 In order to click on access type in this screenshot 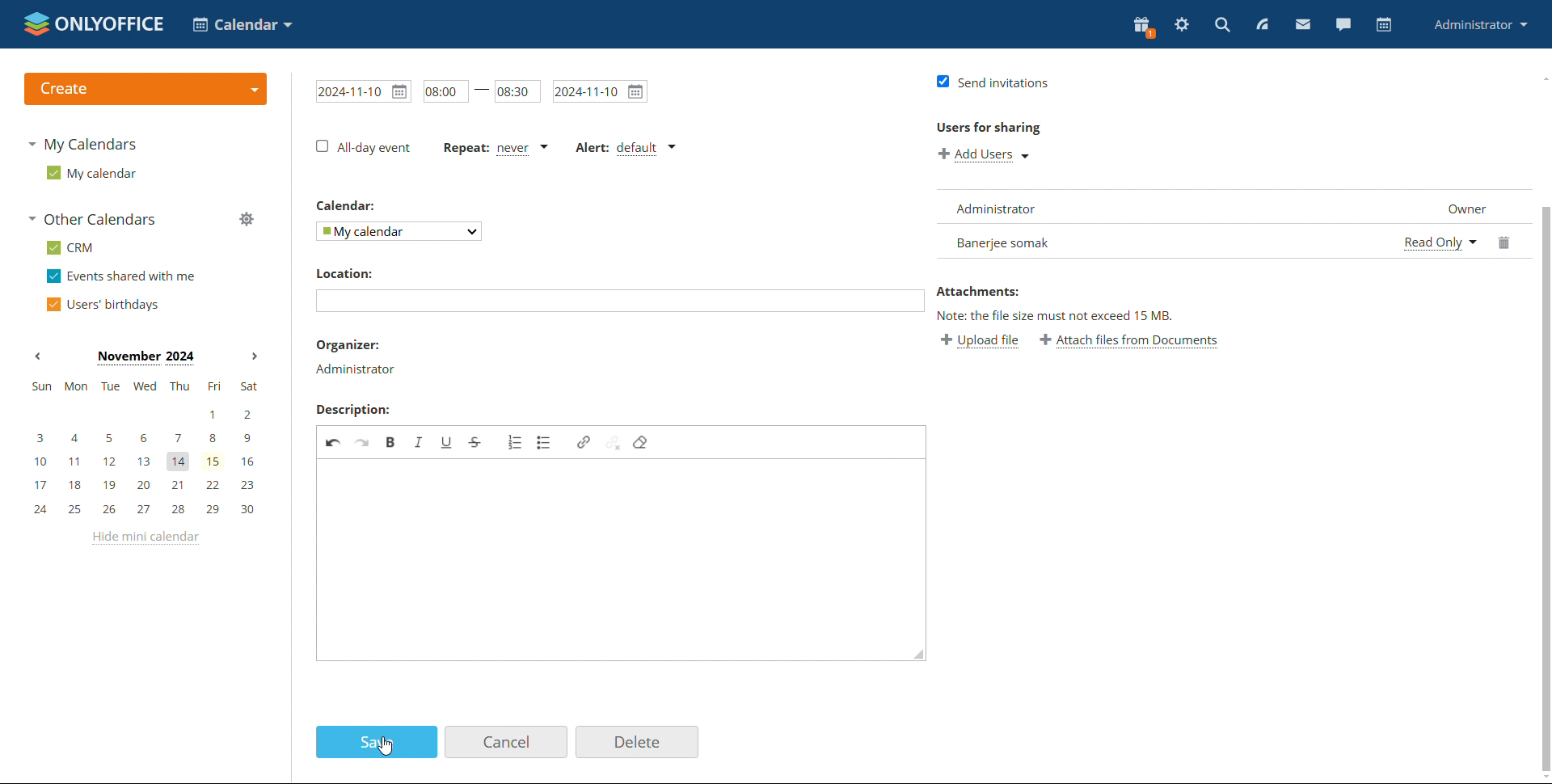, I will do `click(1435, 245)`.